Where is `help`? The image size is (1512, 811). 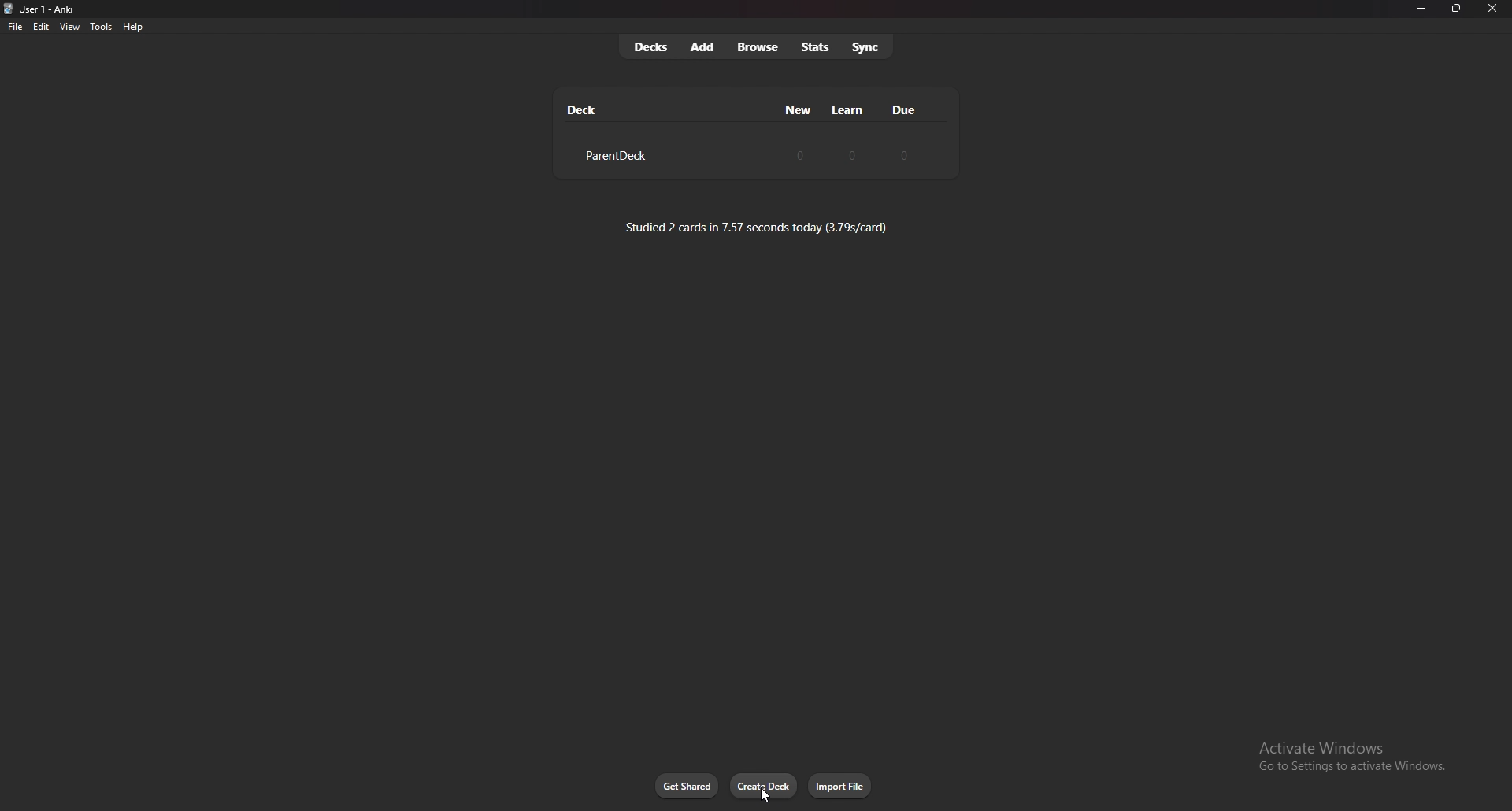 help is located at coordinates (132, 28).